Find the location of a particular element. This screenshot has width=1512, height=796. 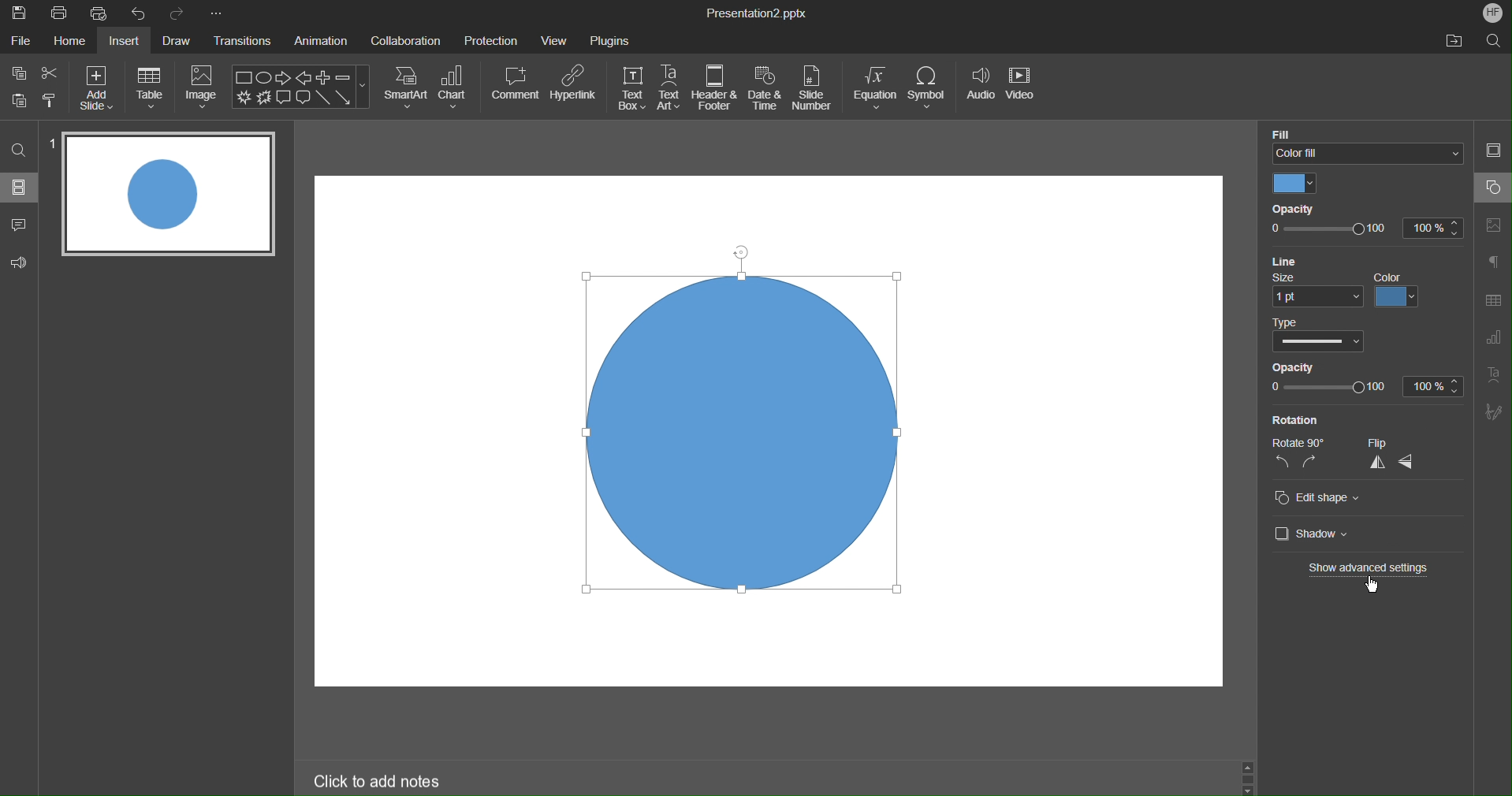

opacity slider is located at coordinates (1328, 388).